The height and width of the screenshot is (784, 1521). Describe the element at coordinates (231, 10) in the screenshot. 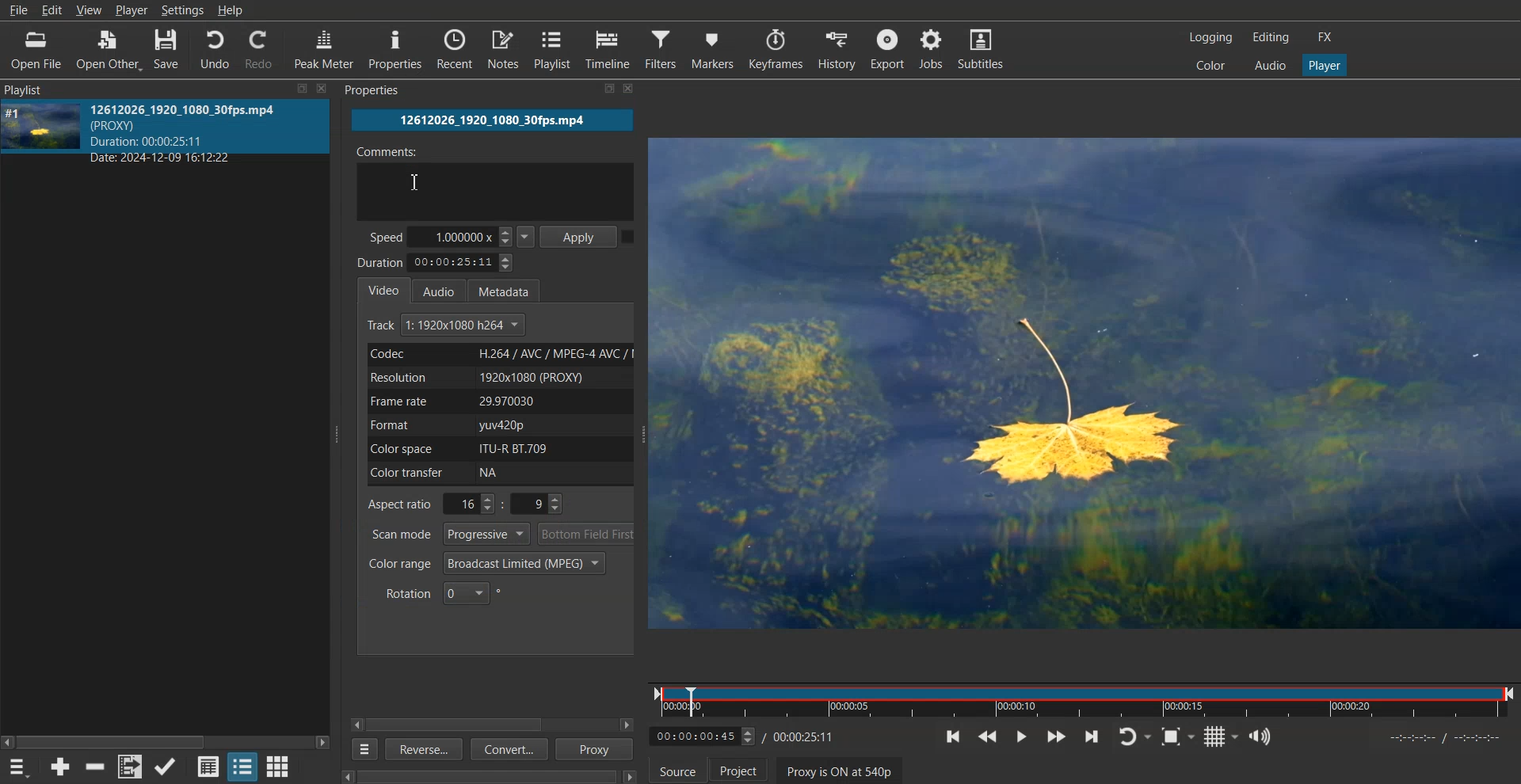

I see `Help` at that location.